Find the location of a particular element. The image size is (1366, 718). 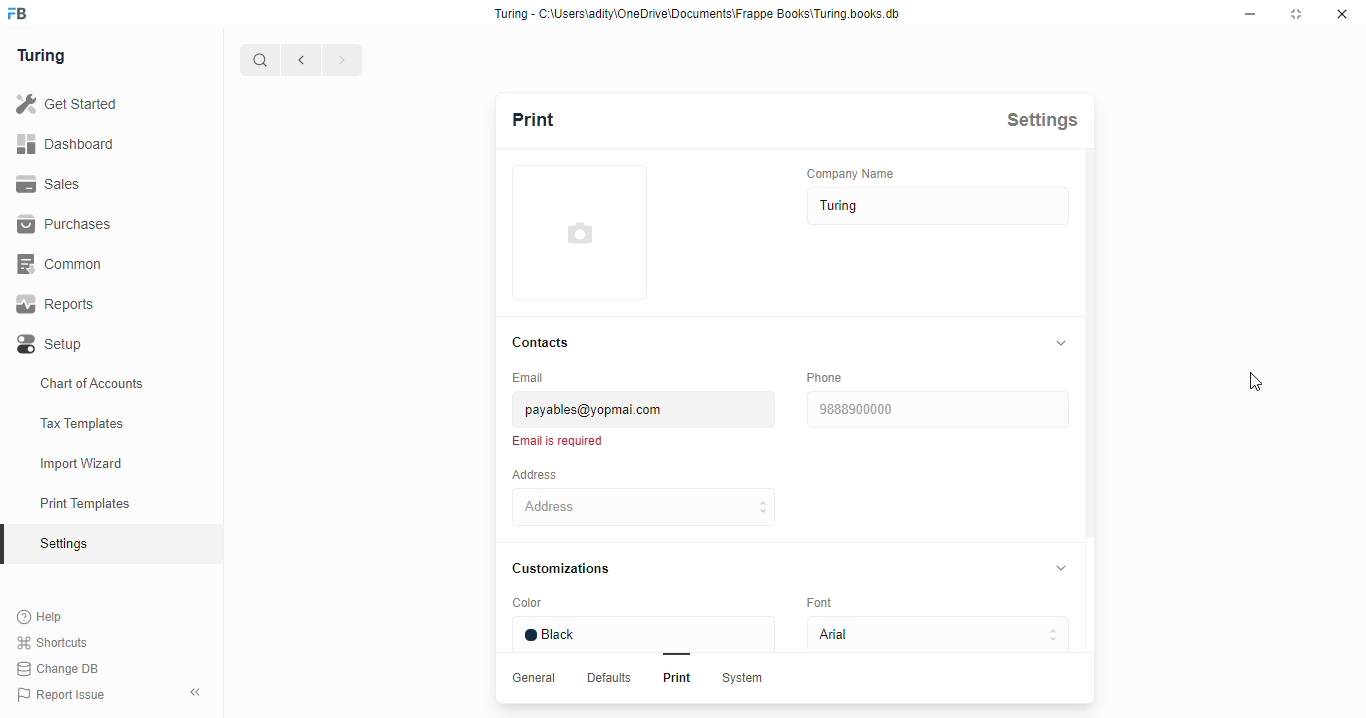

Setup is located at coordinates (92, 344).